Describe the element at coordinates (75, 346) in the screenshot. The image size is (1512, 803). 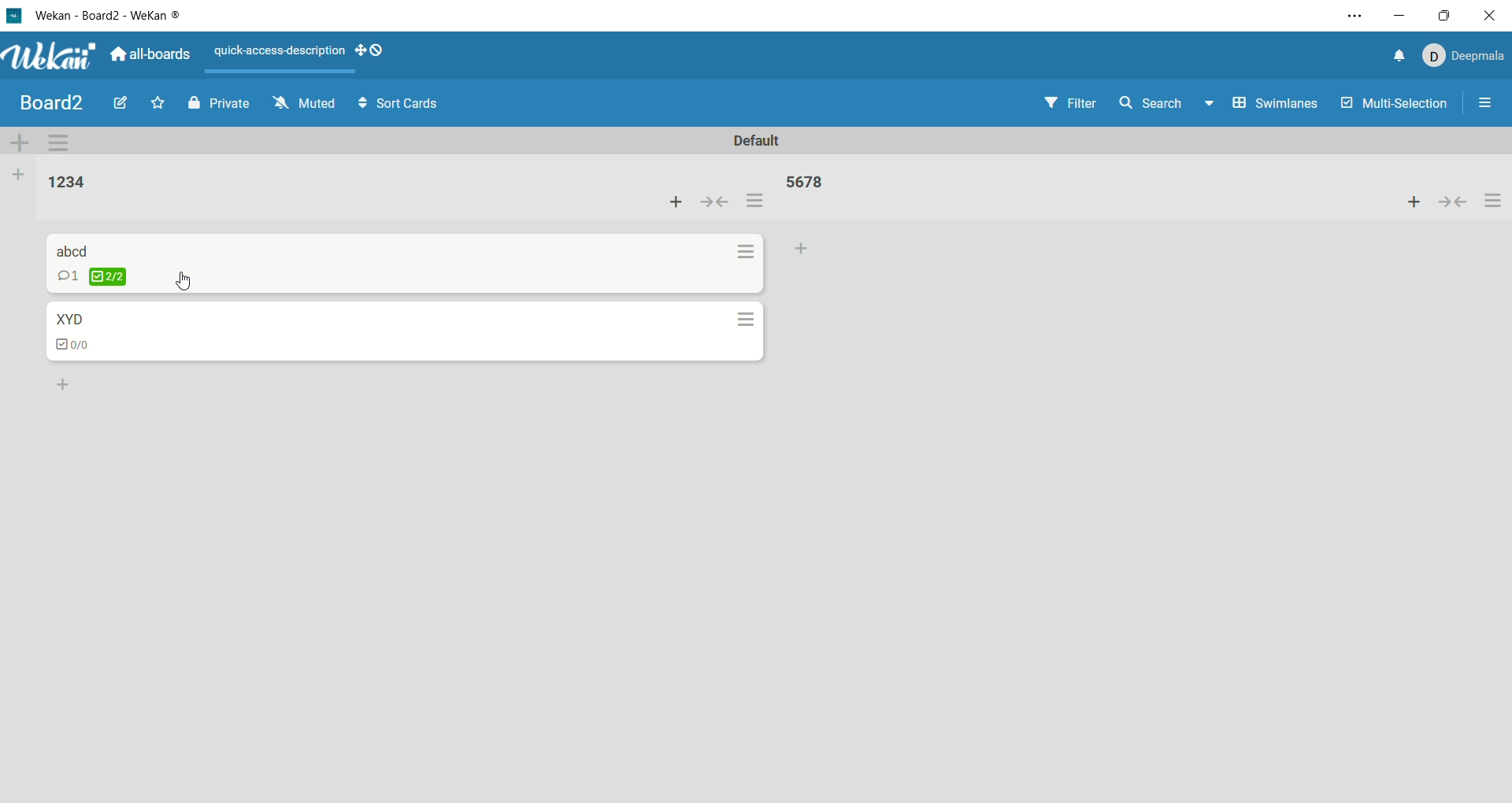
I see `checklist` at that location.